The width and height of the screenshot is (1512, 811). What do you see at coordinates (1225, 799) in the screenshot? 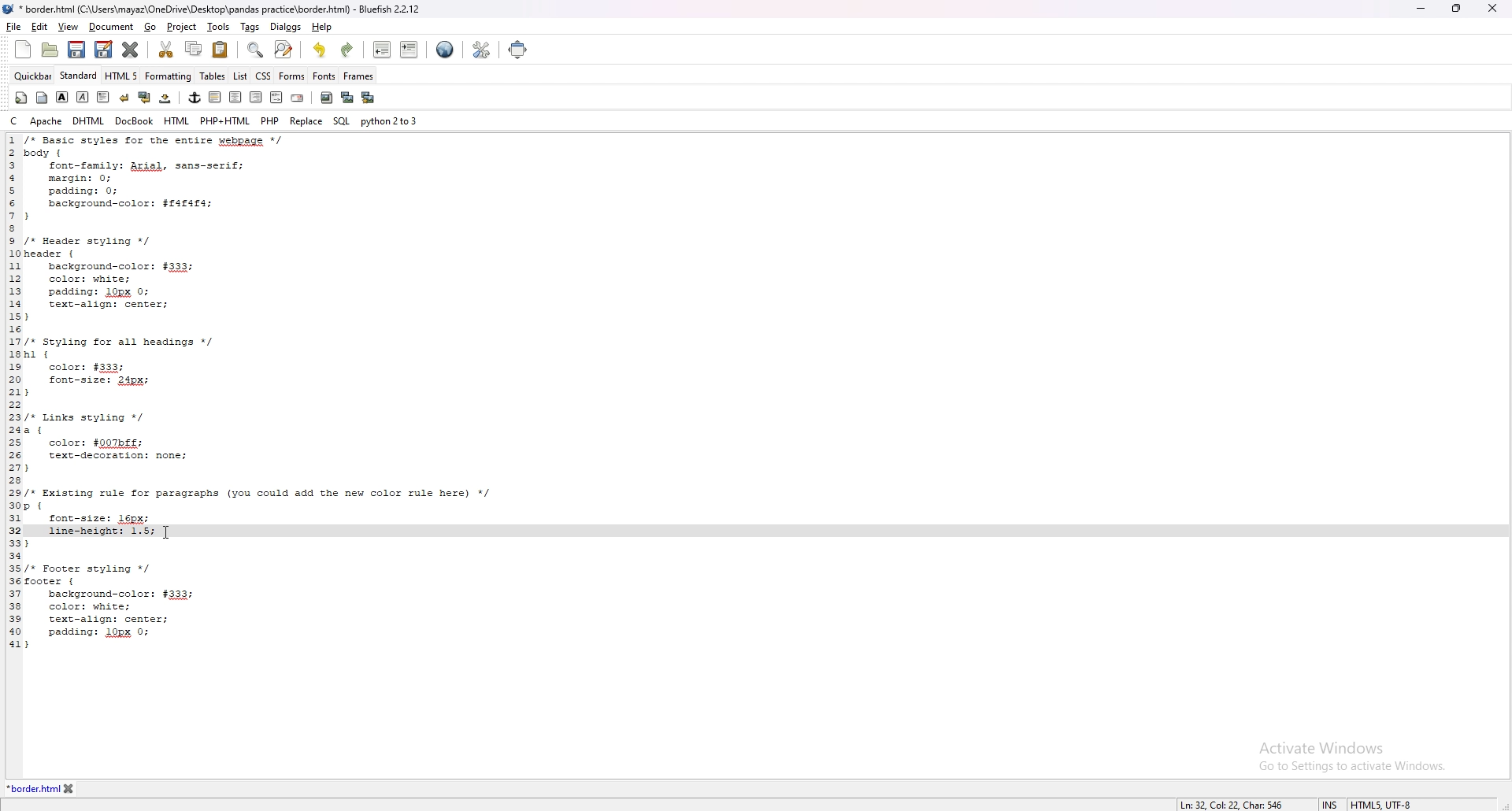
I see `Ln:32, Col:22, Char: 545` at bounding box center [1225, 799].